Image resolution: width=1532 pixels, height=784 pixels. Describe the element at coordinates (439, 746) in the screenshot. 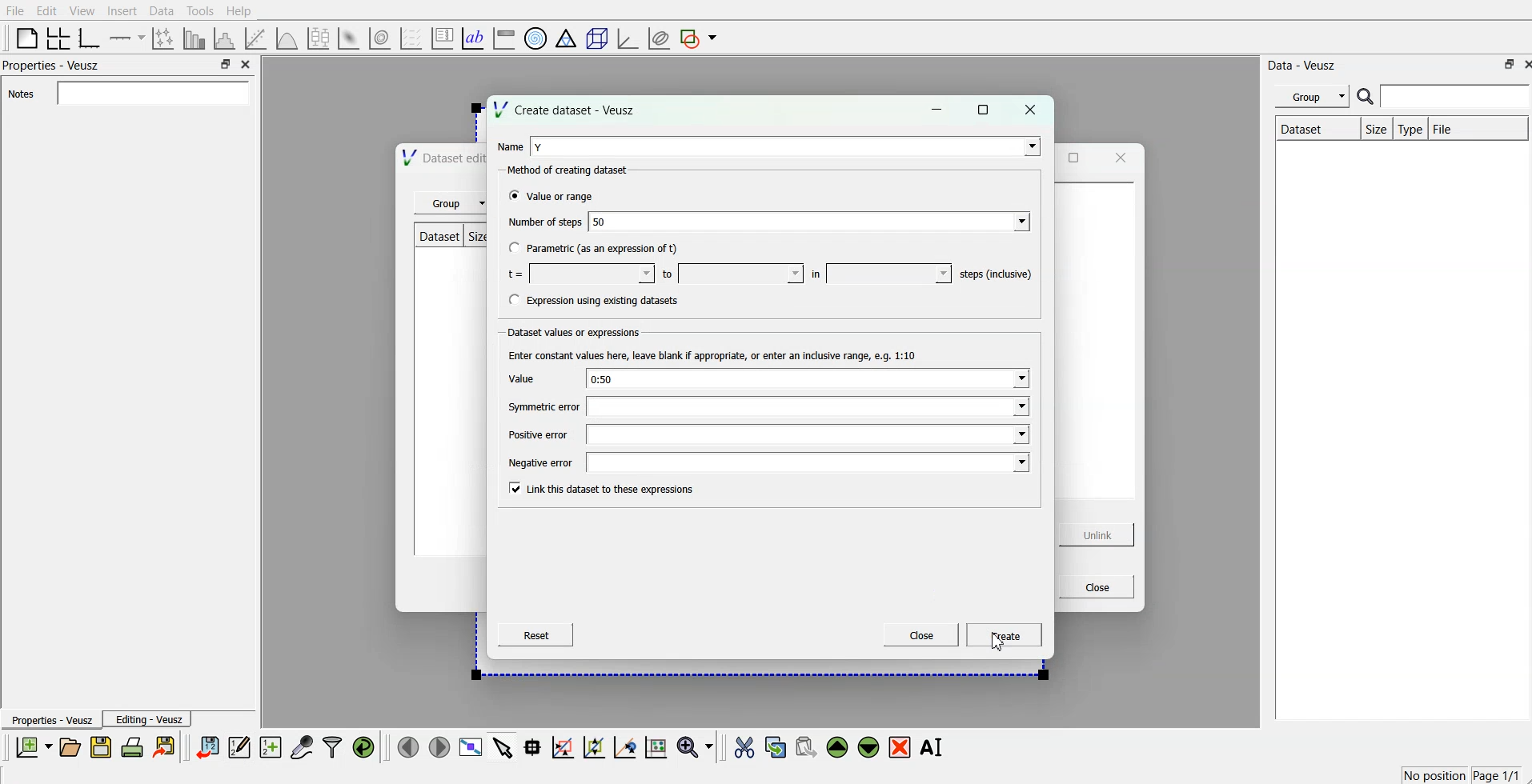

I see `move to next page` at that location.